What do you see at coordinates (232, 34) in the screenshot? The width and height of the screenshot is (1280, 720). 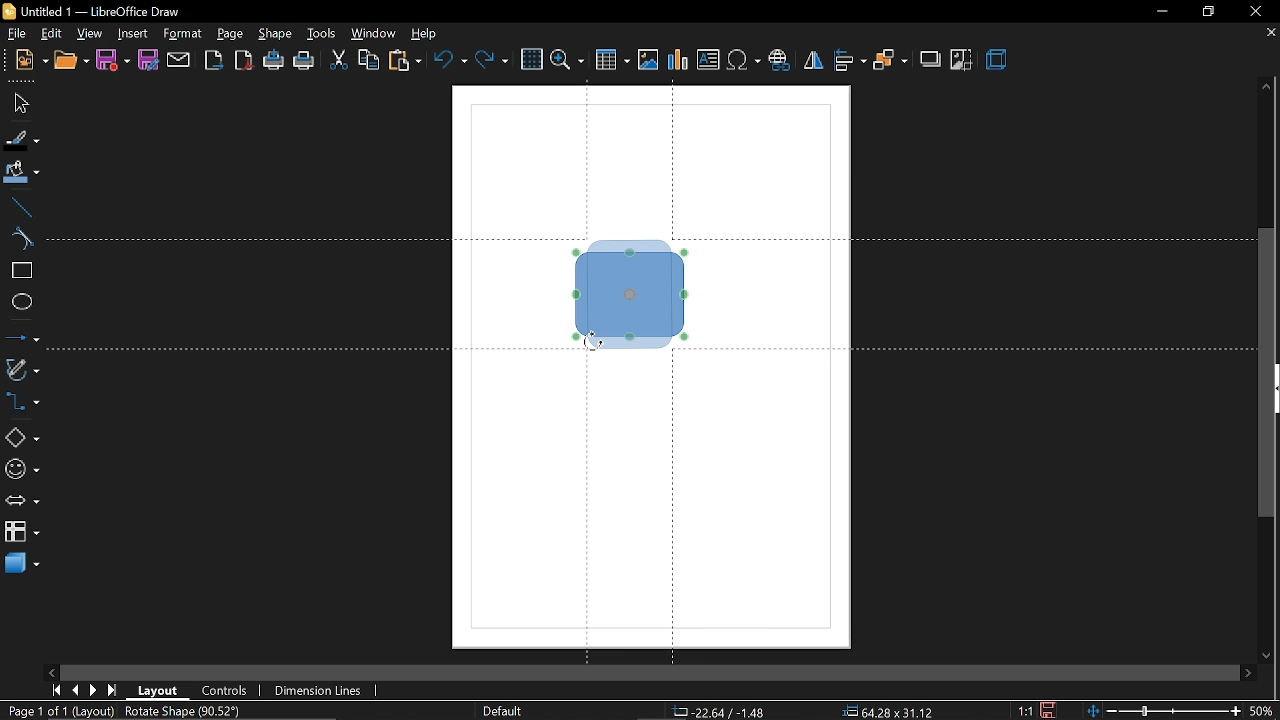 I see `page` at bounding box center [232, 34].